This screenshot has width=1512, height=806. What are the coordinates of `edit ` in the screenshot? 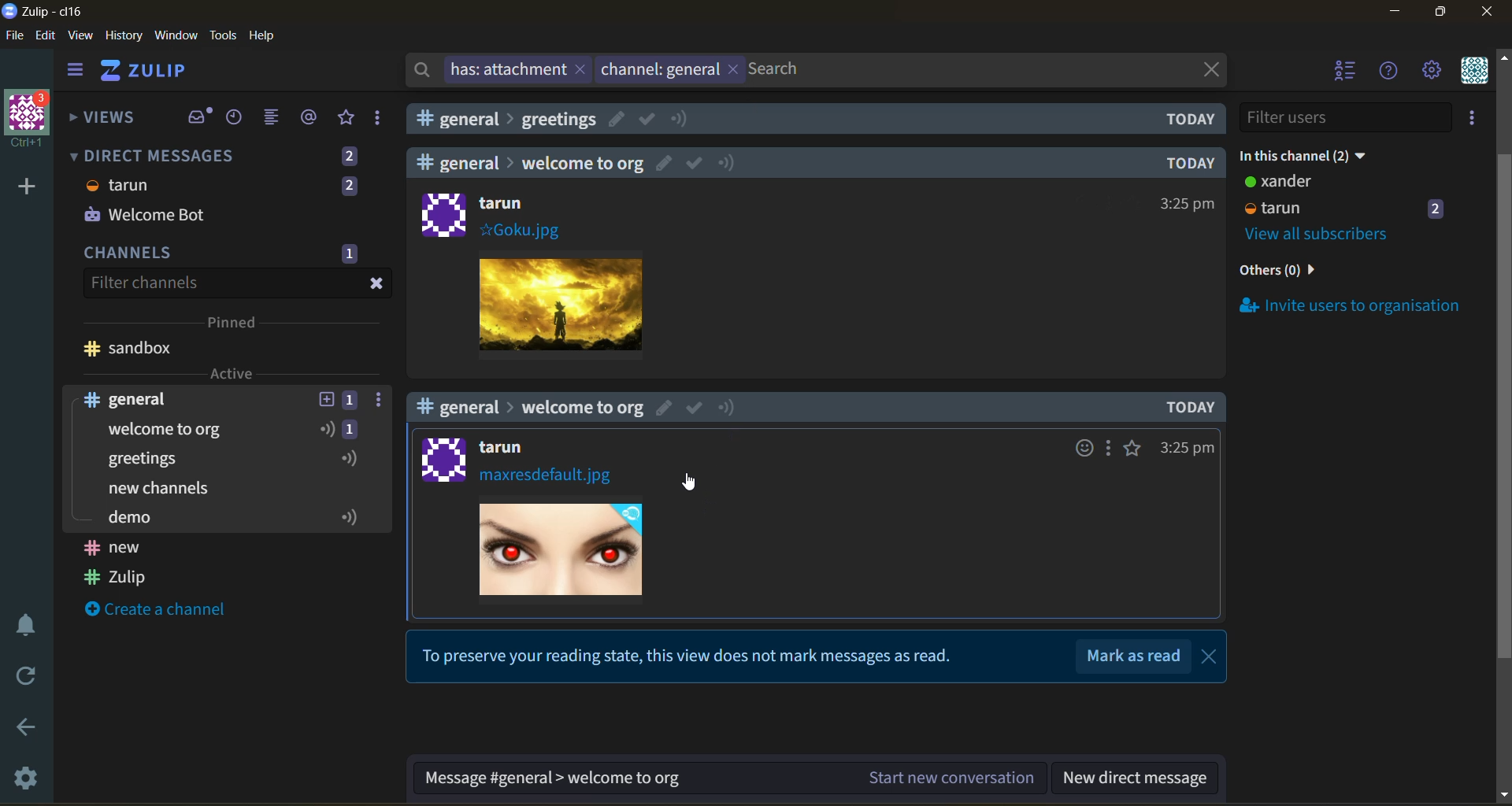 It's located at (661, 163).